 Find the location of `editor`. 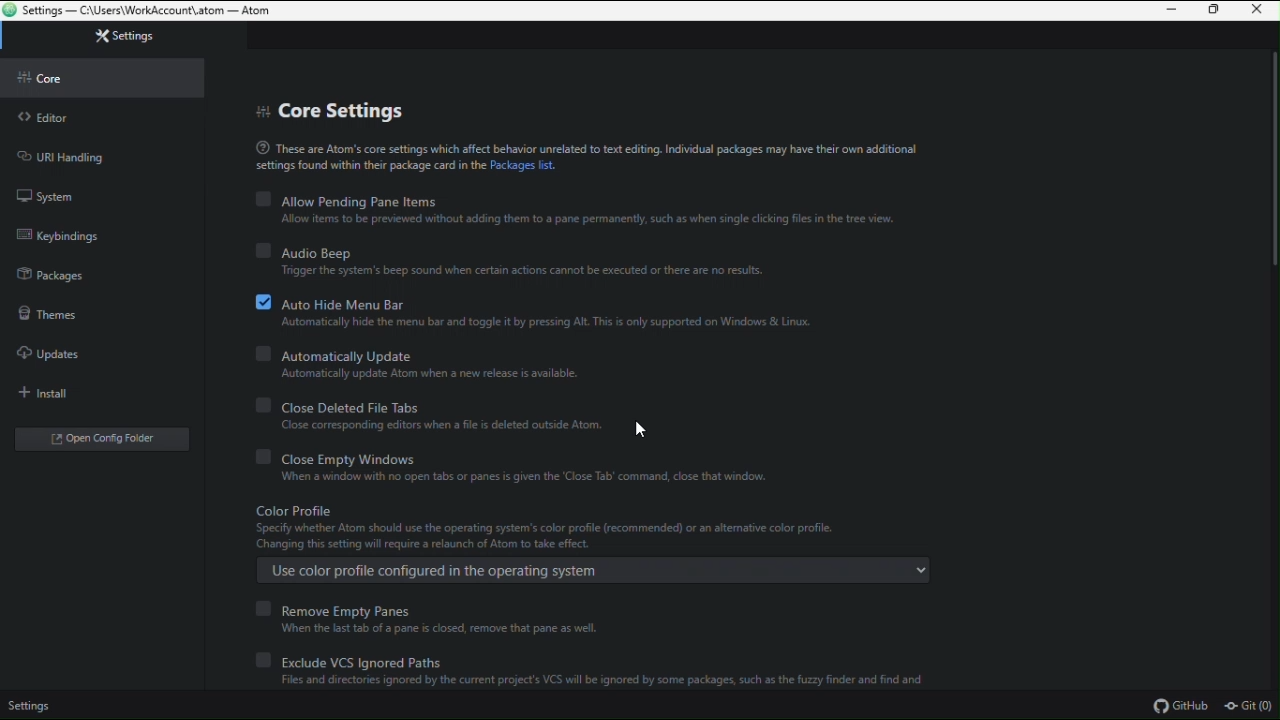

editor is located at coordinates (101, 113).